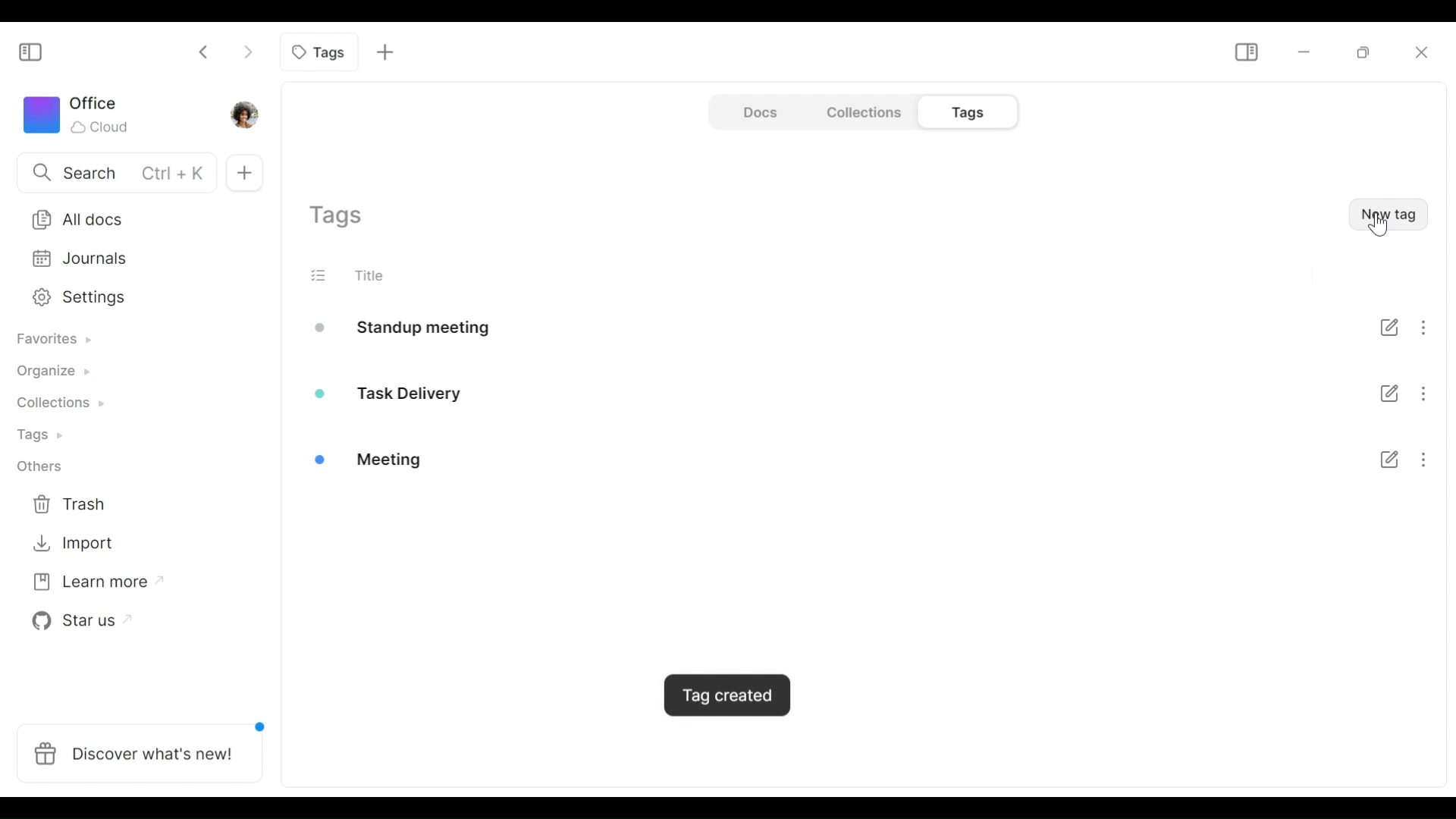 Image resolution: width=1456 pixels, height=819 pixels. What do you see at coordinates (412, 328) in the screenshot?
I see `Standup meeting` at bounding box center [412, 328].